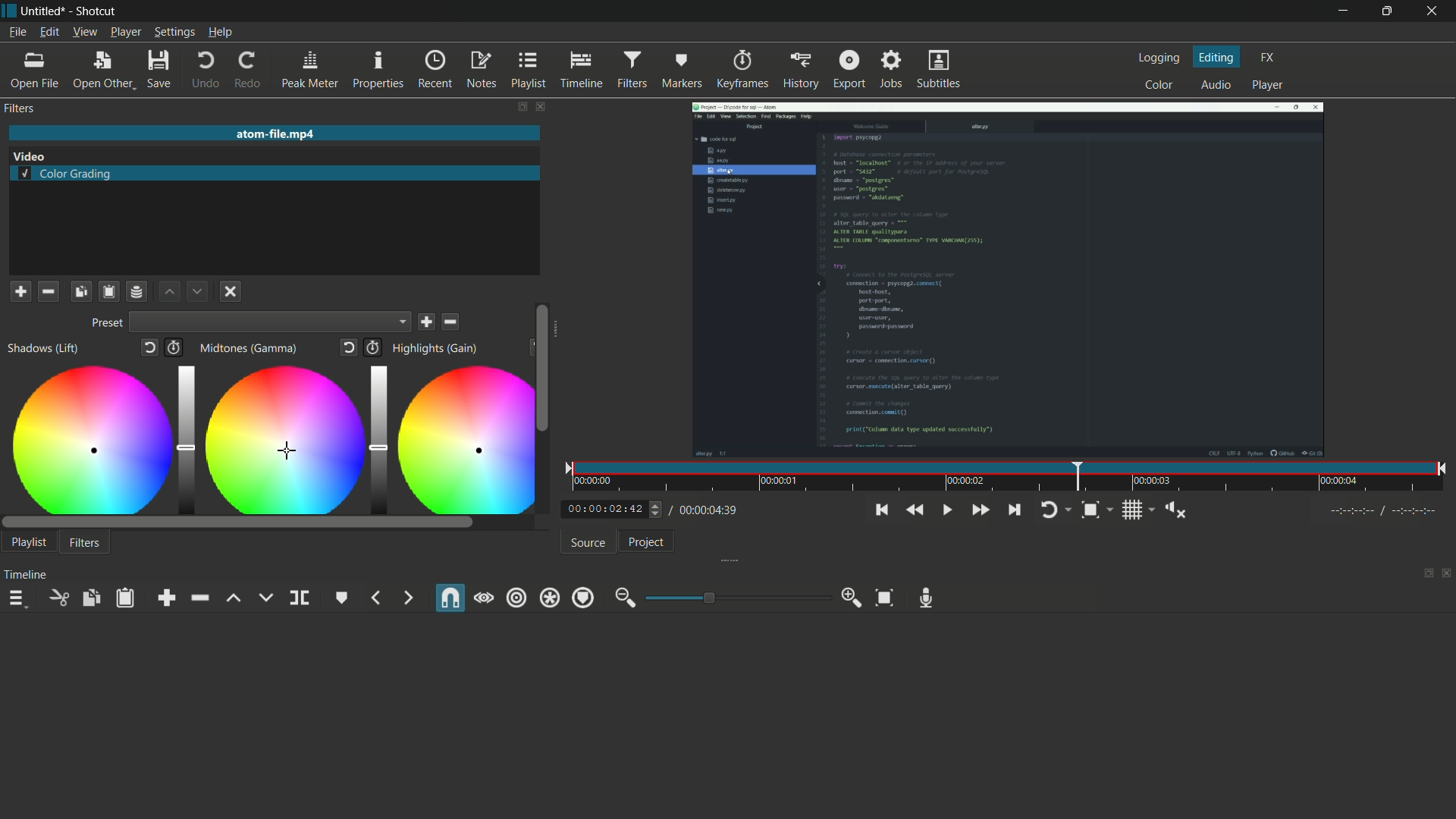 This screenshot has height=819, width=1456. Describe the element at coordinates (170, 598) in the screenshot. I see `append` at that location.